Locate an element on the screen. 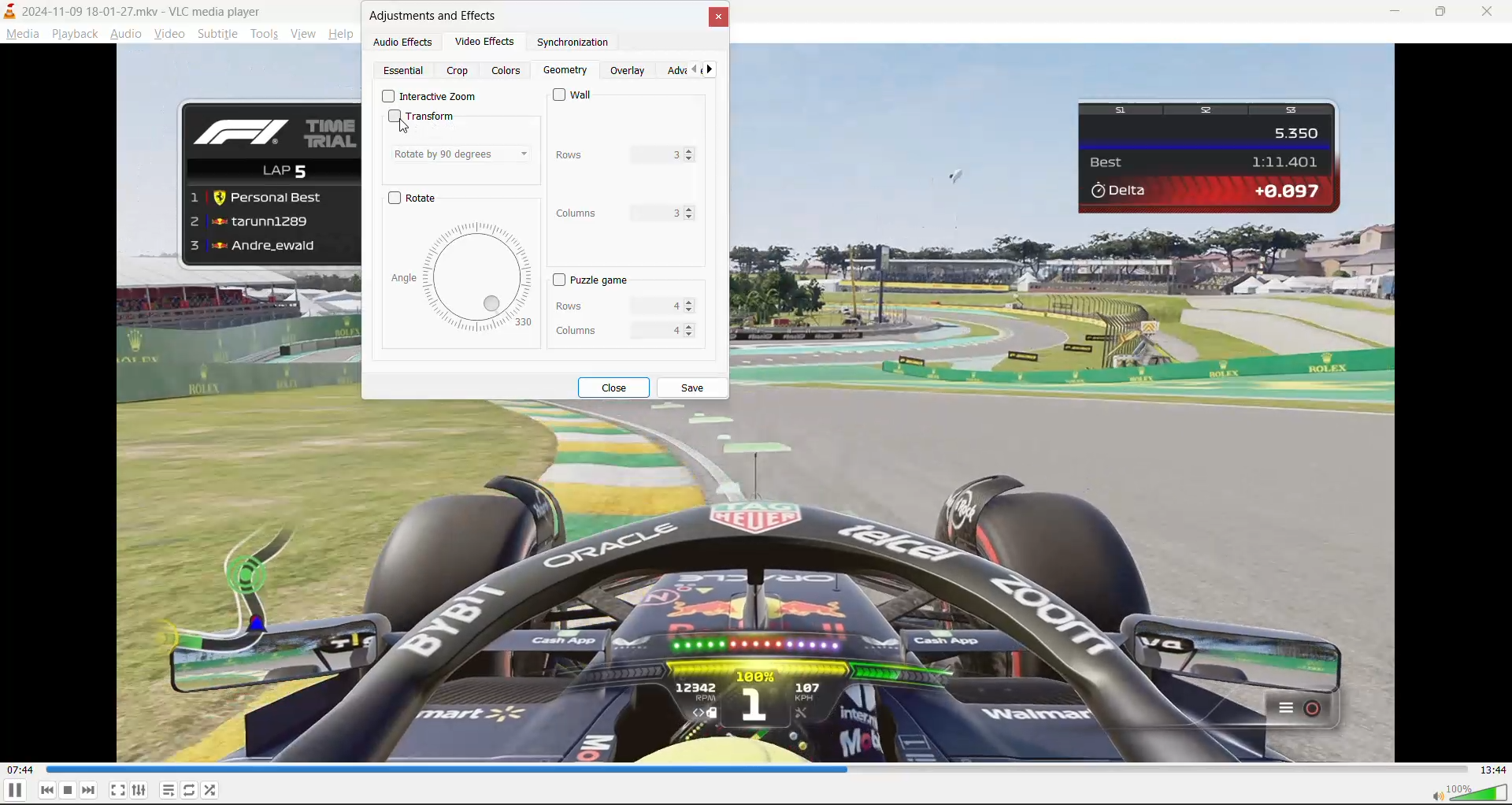 This screenshot has width=1512, height=805. random is located at coordinates (213, 789).